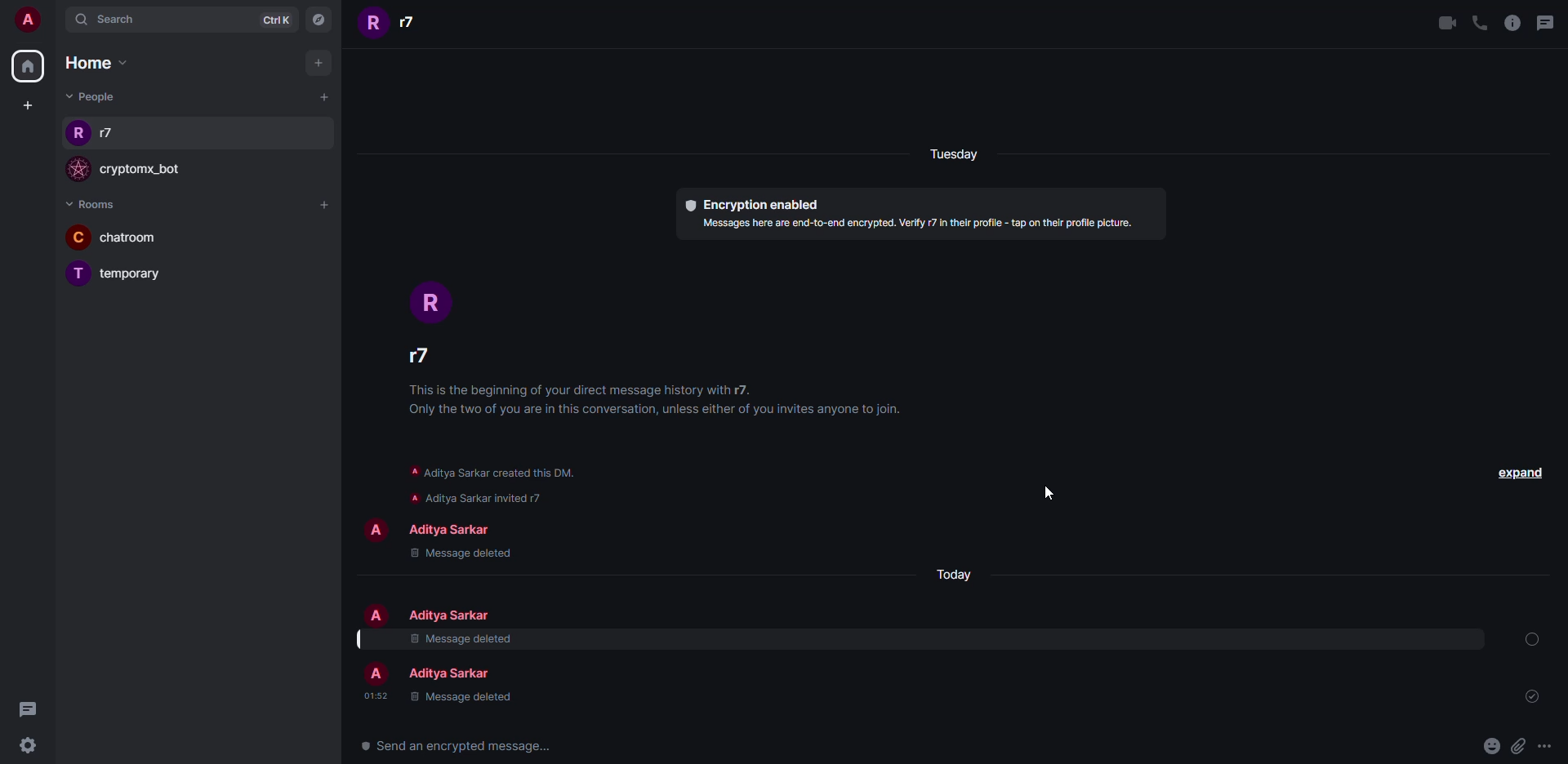  What do you see at coordinates (77, 237) in the screenshot?
I see `profile` at bounding box center [77, 237].